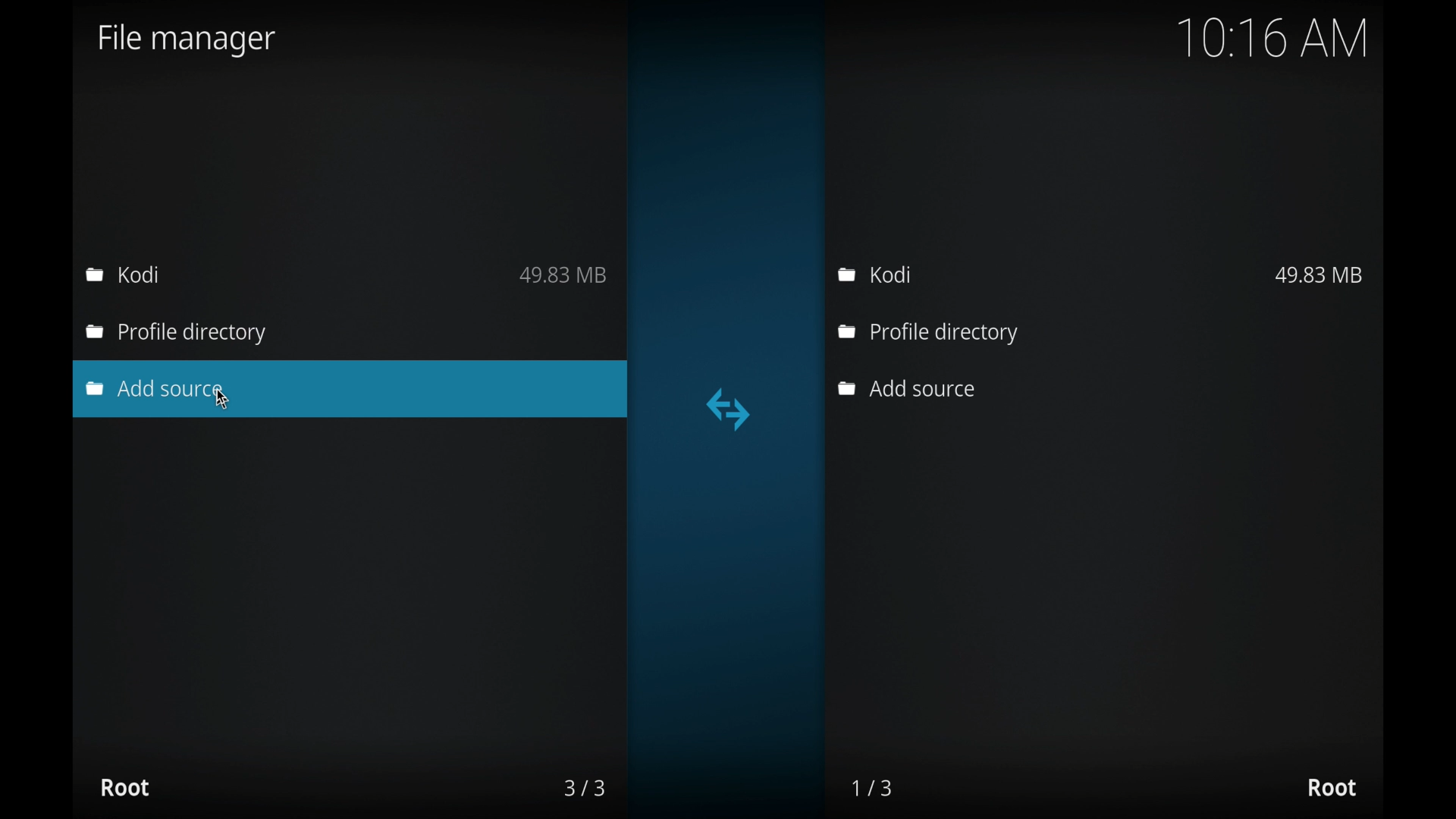  I want to click on connector, so click(729, 409).